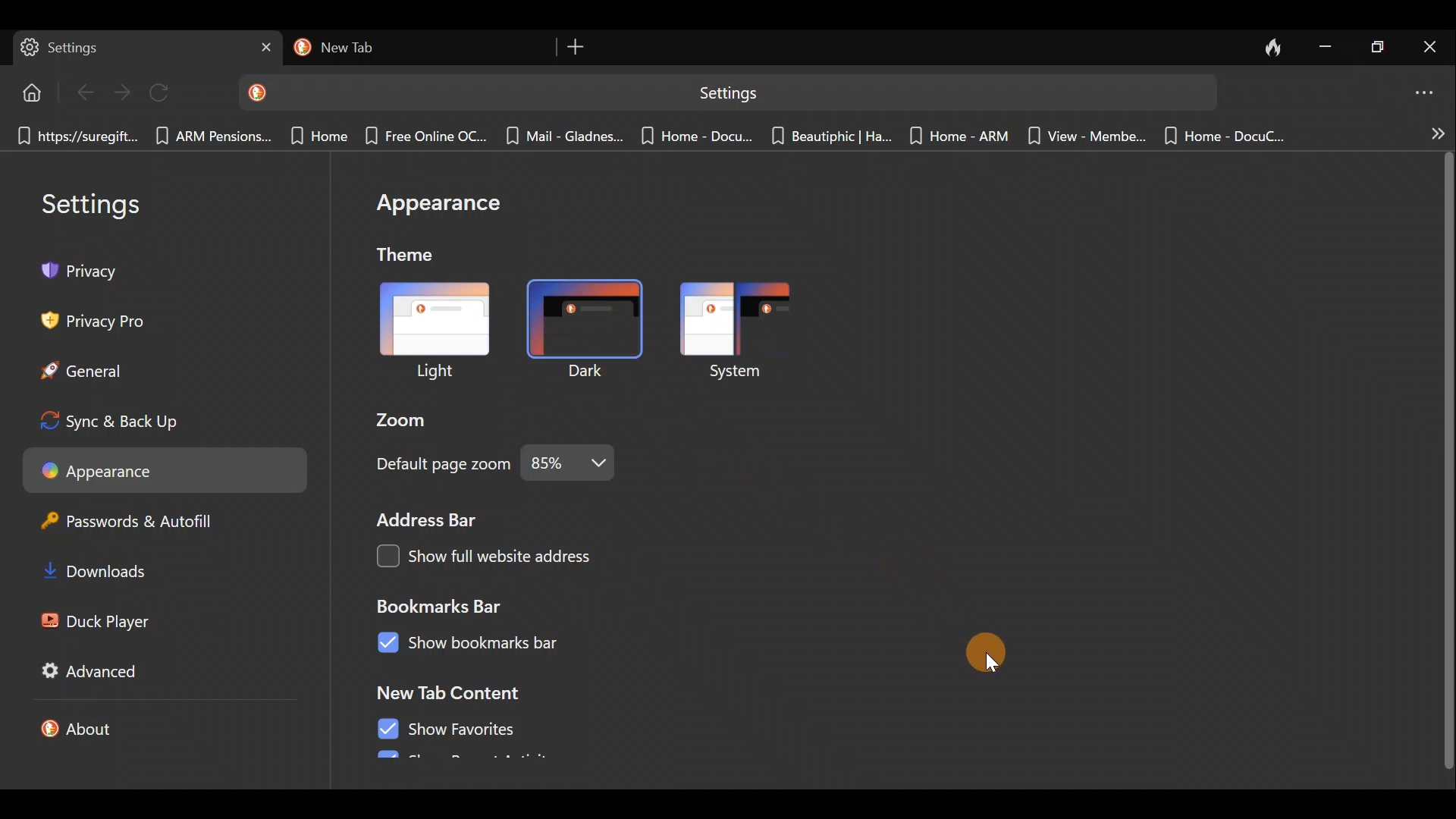  I want to click on Bookmark 9, so click(1084, 140).